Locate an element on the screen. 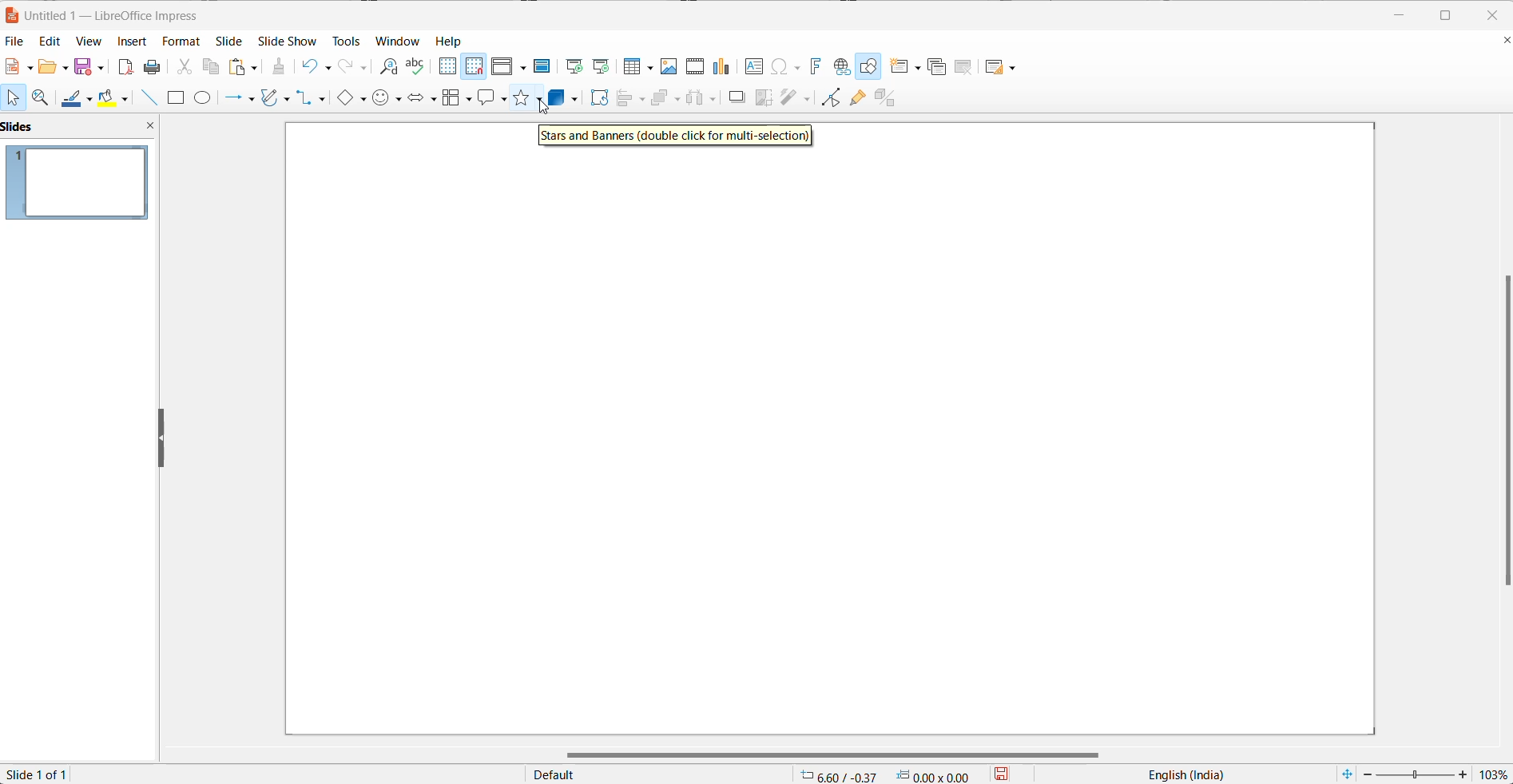  redo is located at coordinates (354, 66).